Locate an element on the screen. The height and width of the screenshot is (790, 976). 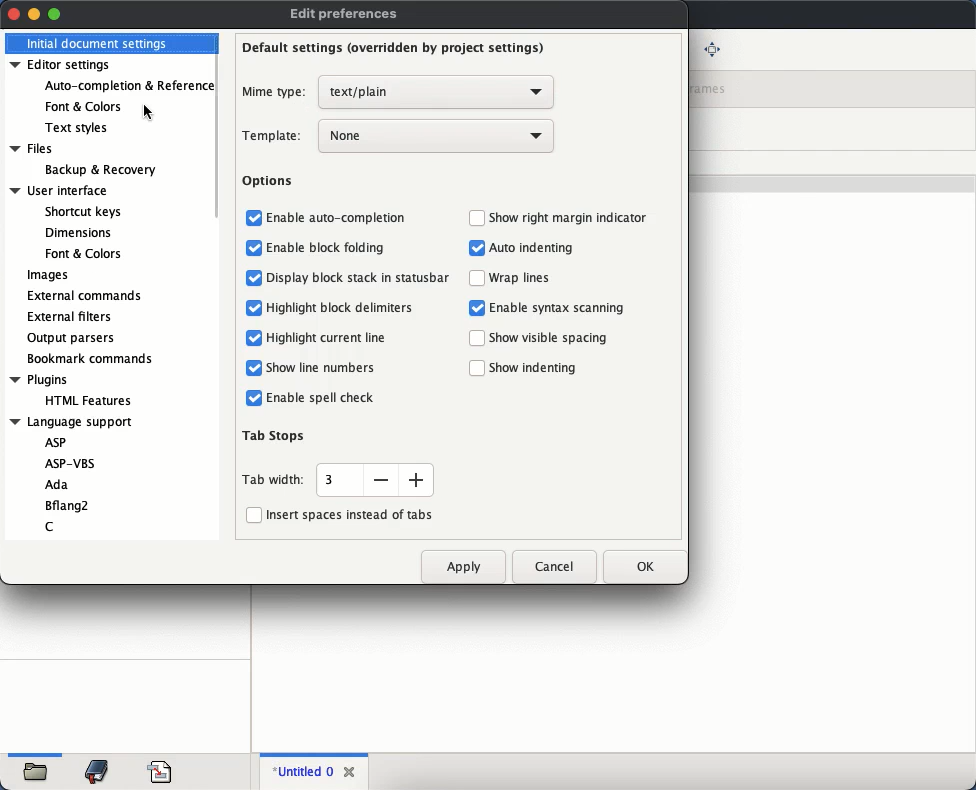
apply is located at coordinates (464, 566).